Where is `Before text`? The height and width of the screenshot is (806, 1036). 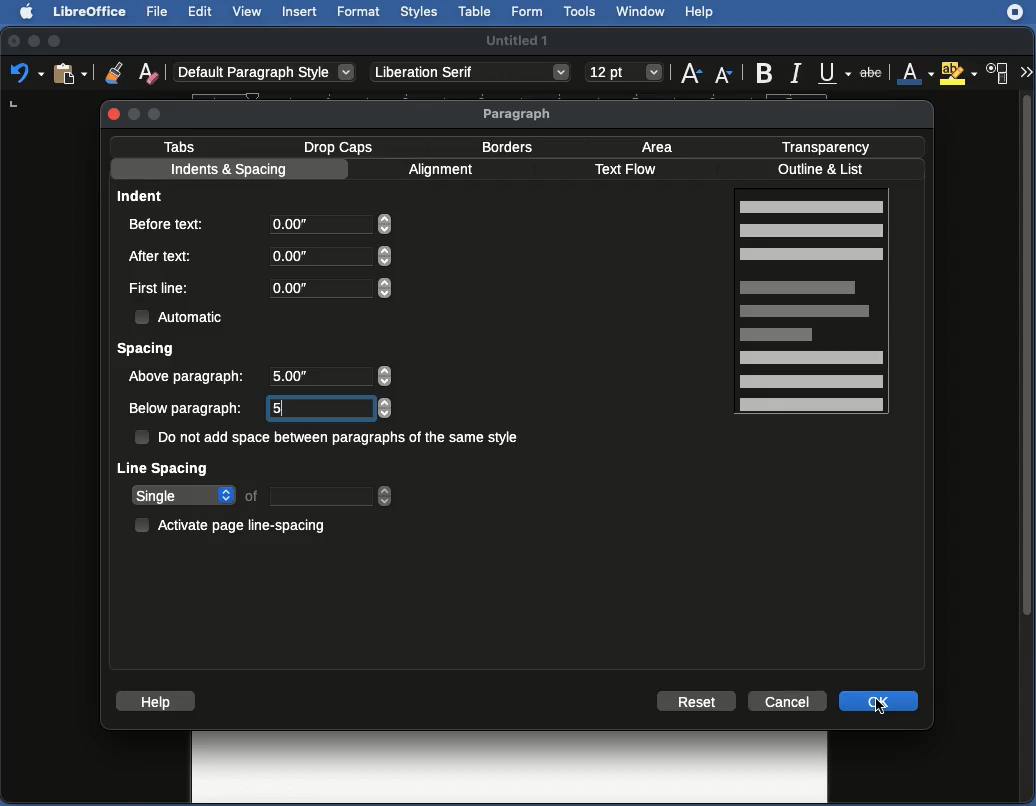
Before text is located at coordinates (173, 223).